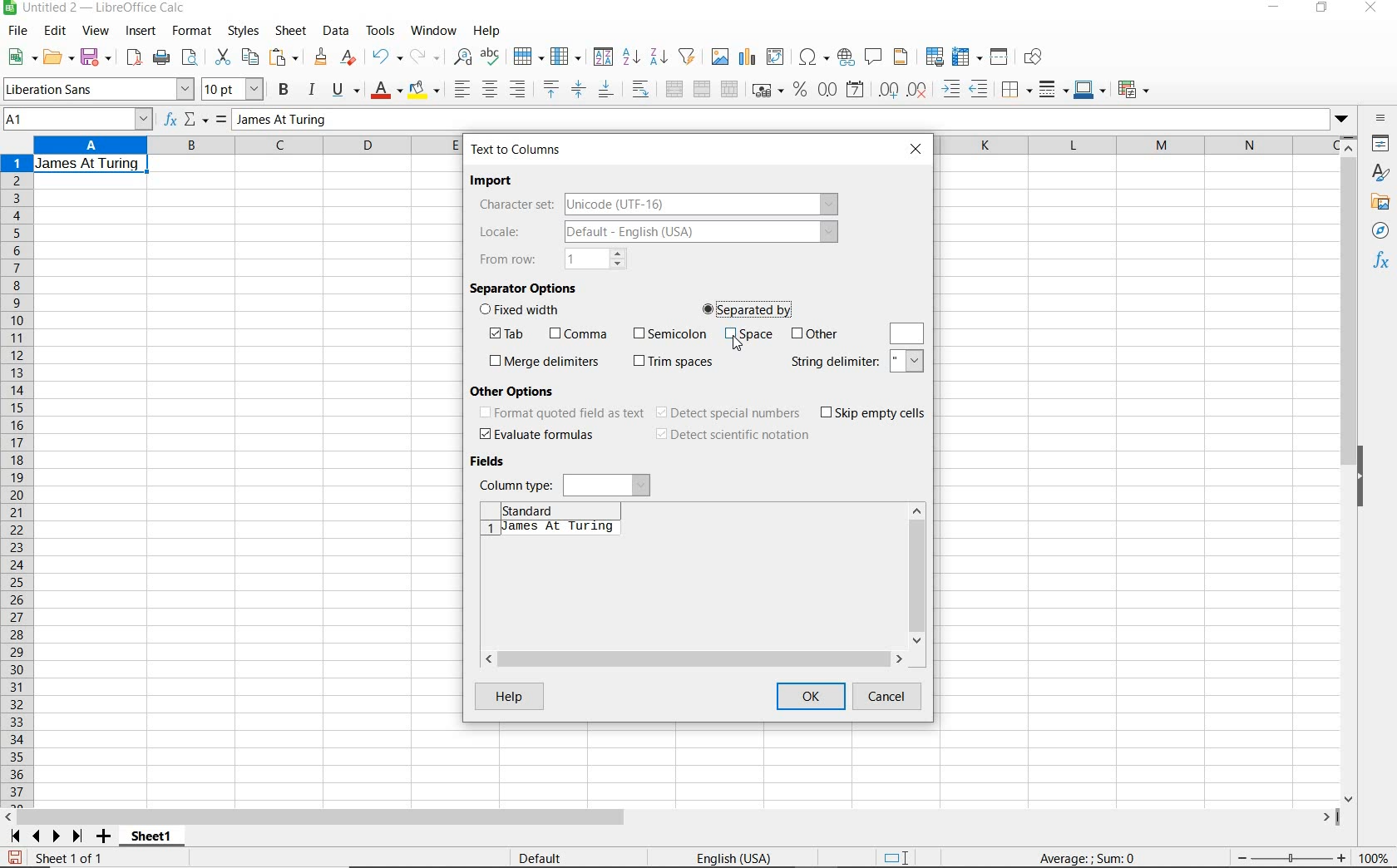  Describe the element at coordinates (1365, 476) in the screenshot. I see `hide` at that location.